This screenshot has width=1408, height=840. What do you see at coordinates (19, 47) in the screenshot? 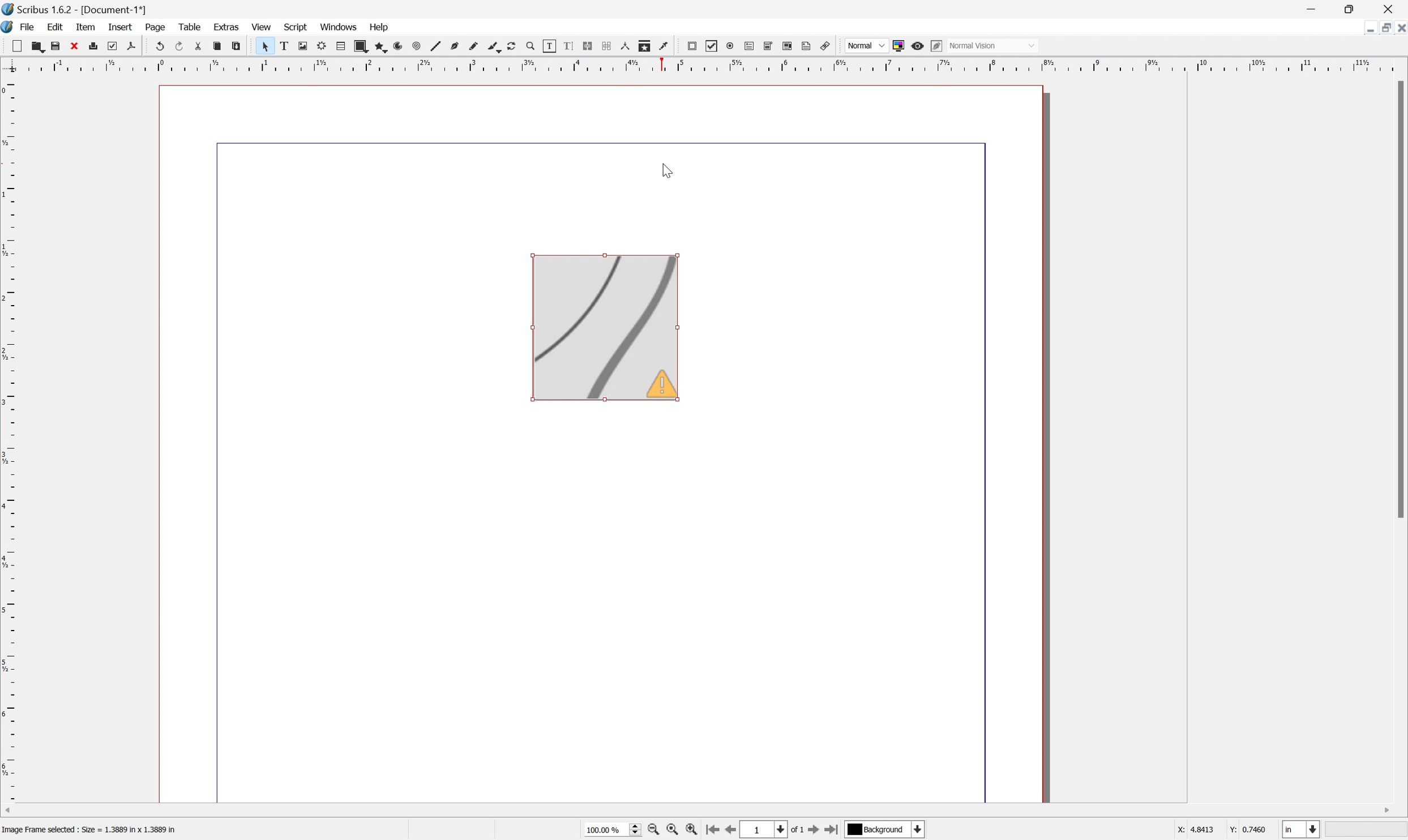
I see `New` at bounding box center [19, 47].